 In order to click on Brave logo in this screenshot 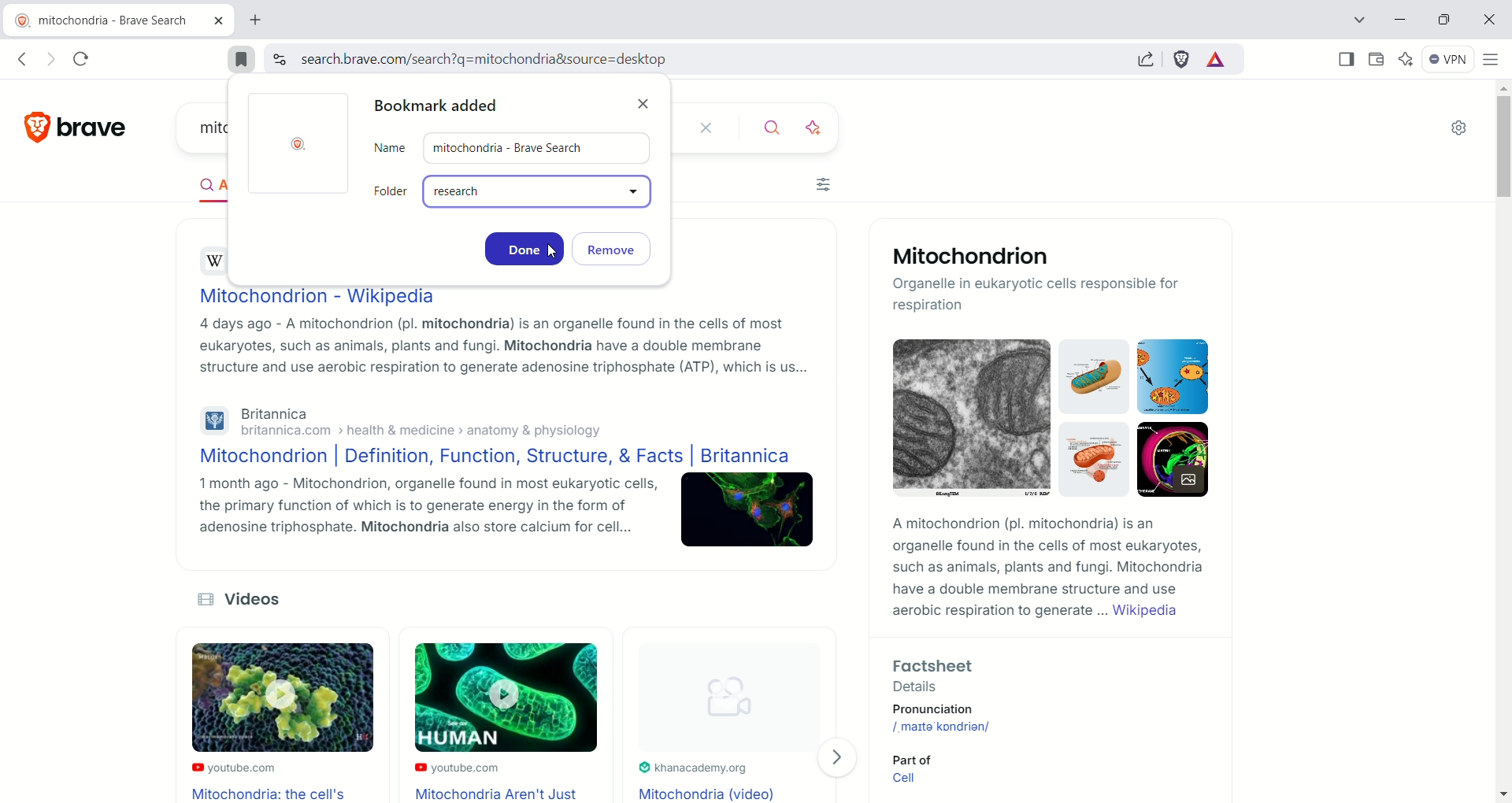, I will do `click(301, 145)`.